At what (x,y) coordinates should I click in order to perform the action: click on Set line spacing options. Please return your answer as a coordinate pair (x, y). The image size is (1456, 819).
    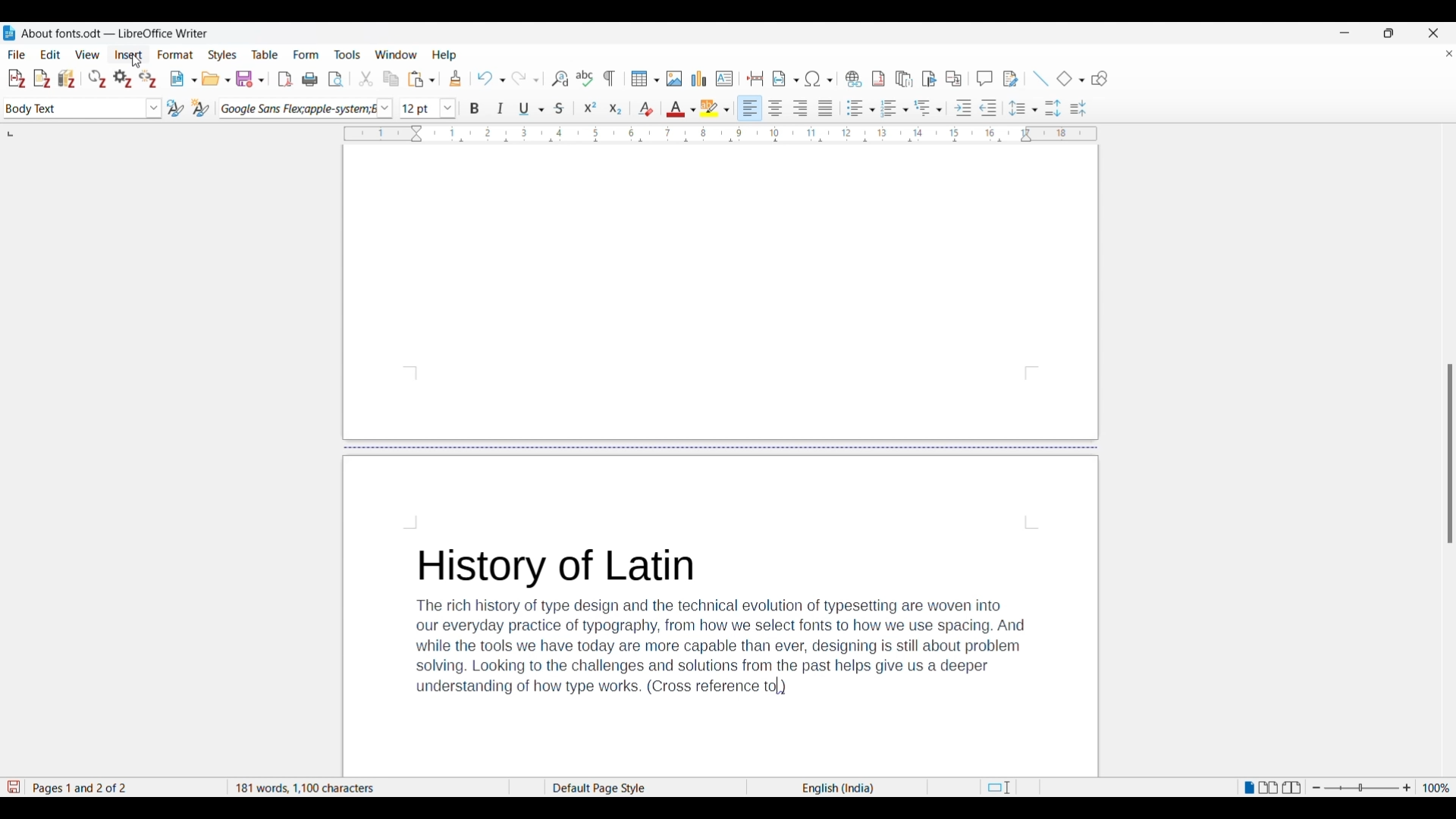
    Looking at the image, I should click on (1023, 108).